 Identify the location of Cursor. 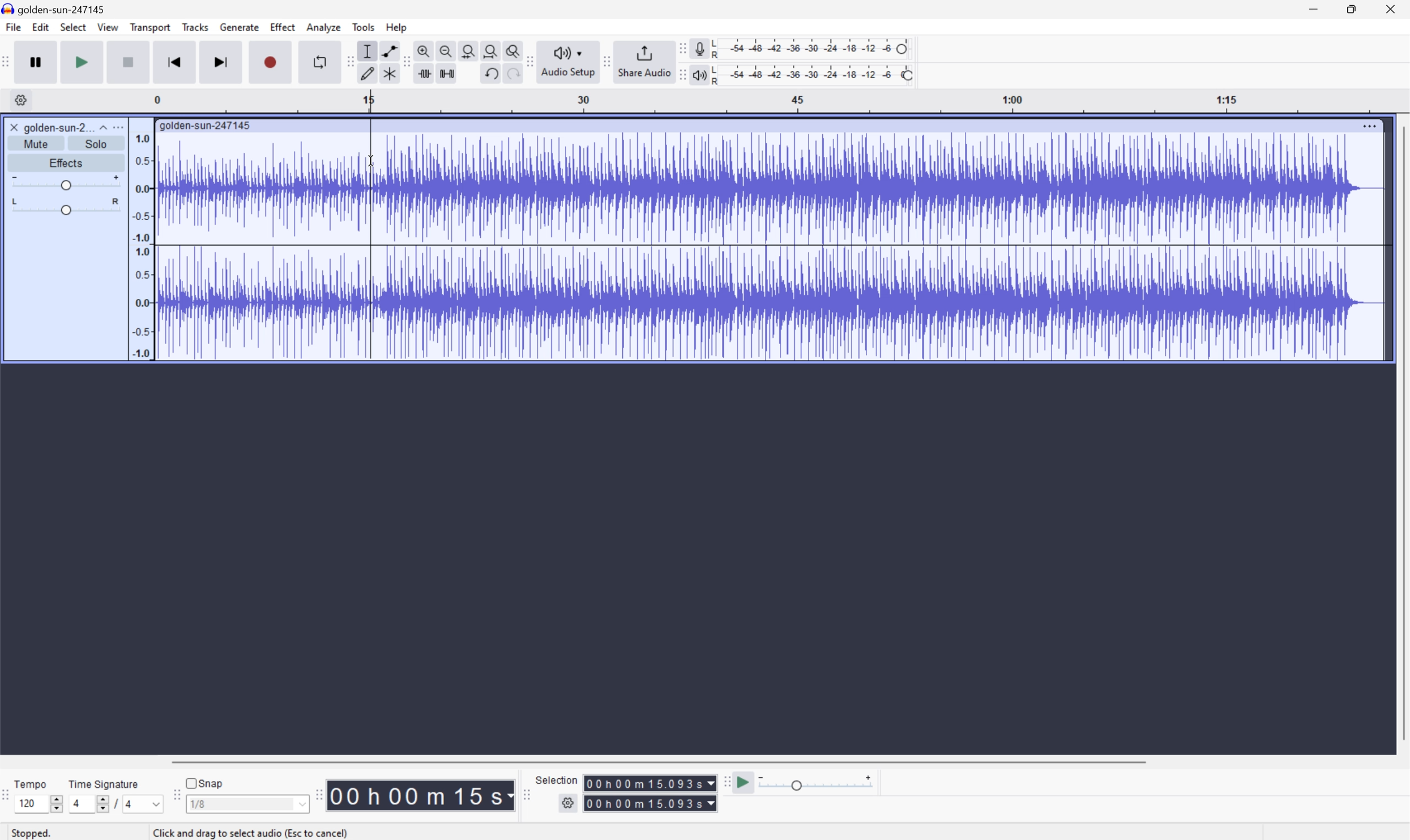
(371, 160).